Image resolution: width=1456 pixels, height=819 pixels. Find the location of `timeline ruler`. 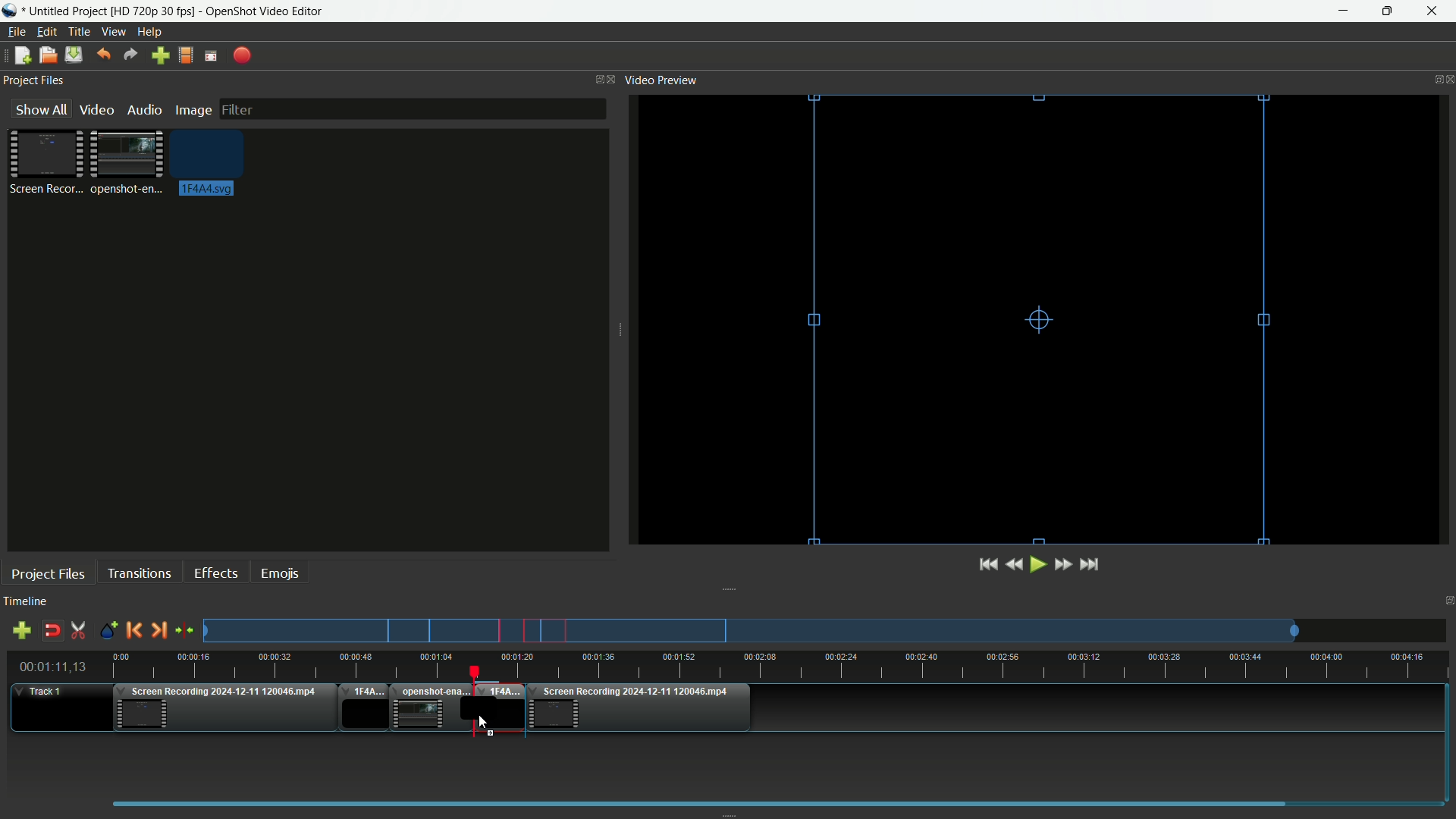

timeline ruler is located at coordinates (781, 667).